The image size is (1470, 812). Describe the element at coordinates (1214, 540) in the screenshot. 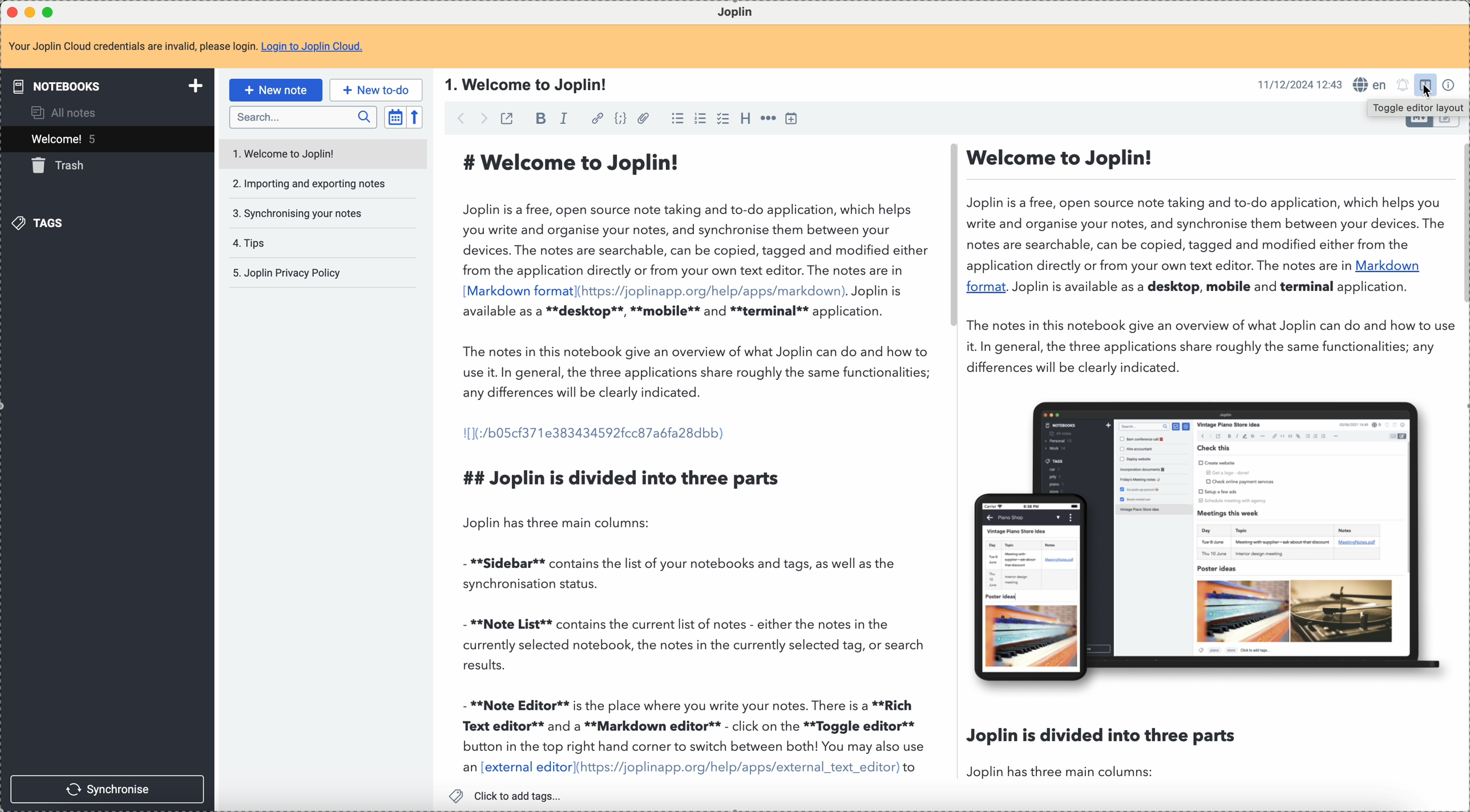

I see `image` at that location.